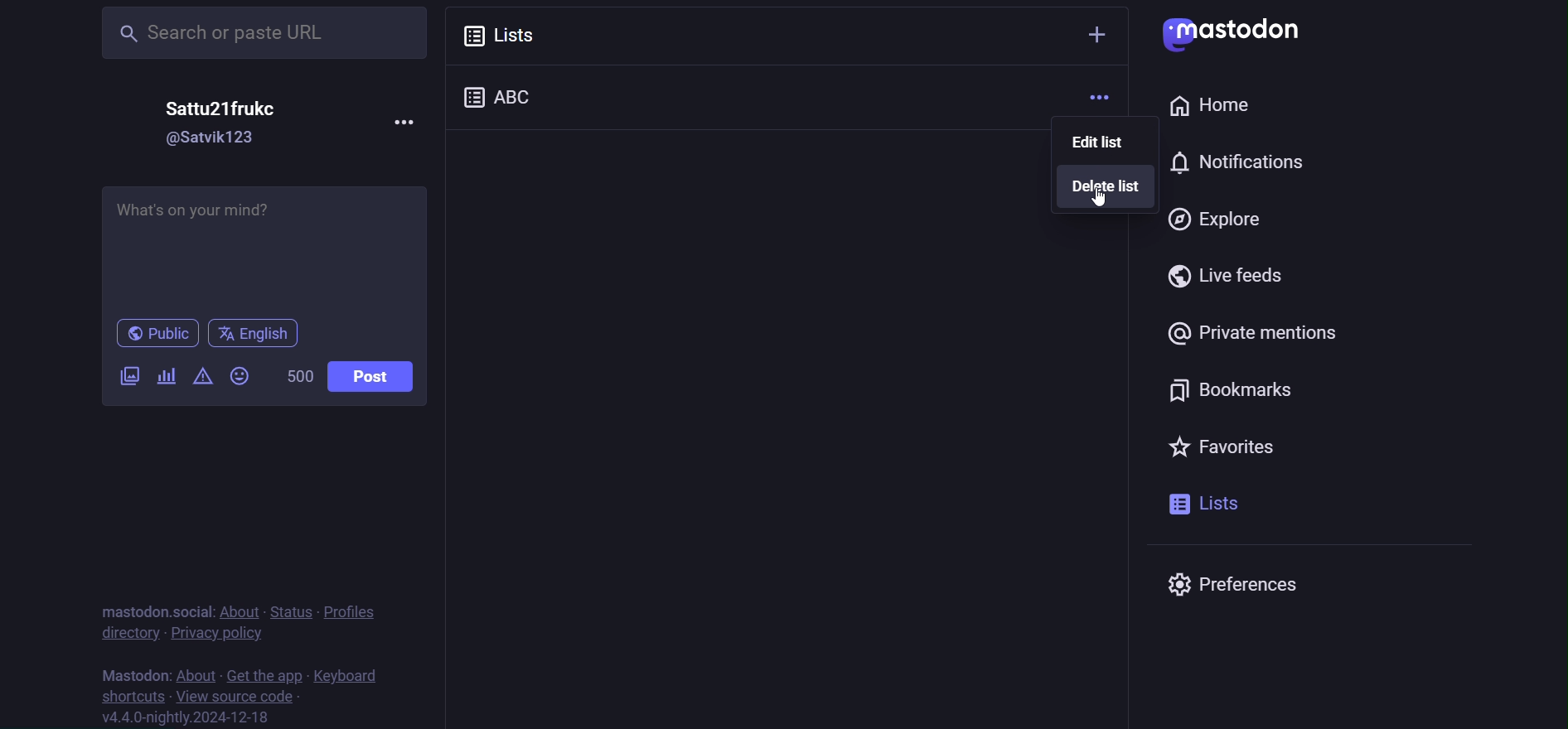 The height and width of the screenshot is (729, 1568). What do you see at coordinates (267, 246) in the screenshot?
I see `post here` at bounding box center [267, 246].